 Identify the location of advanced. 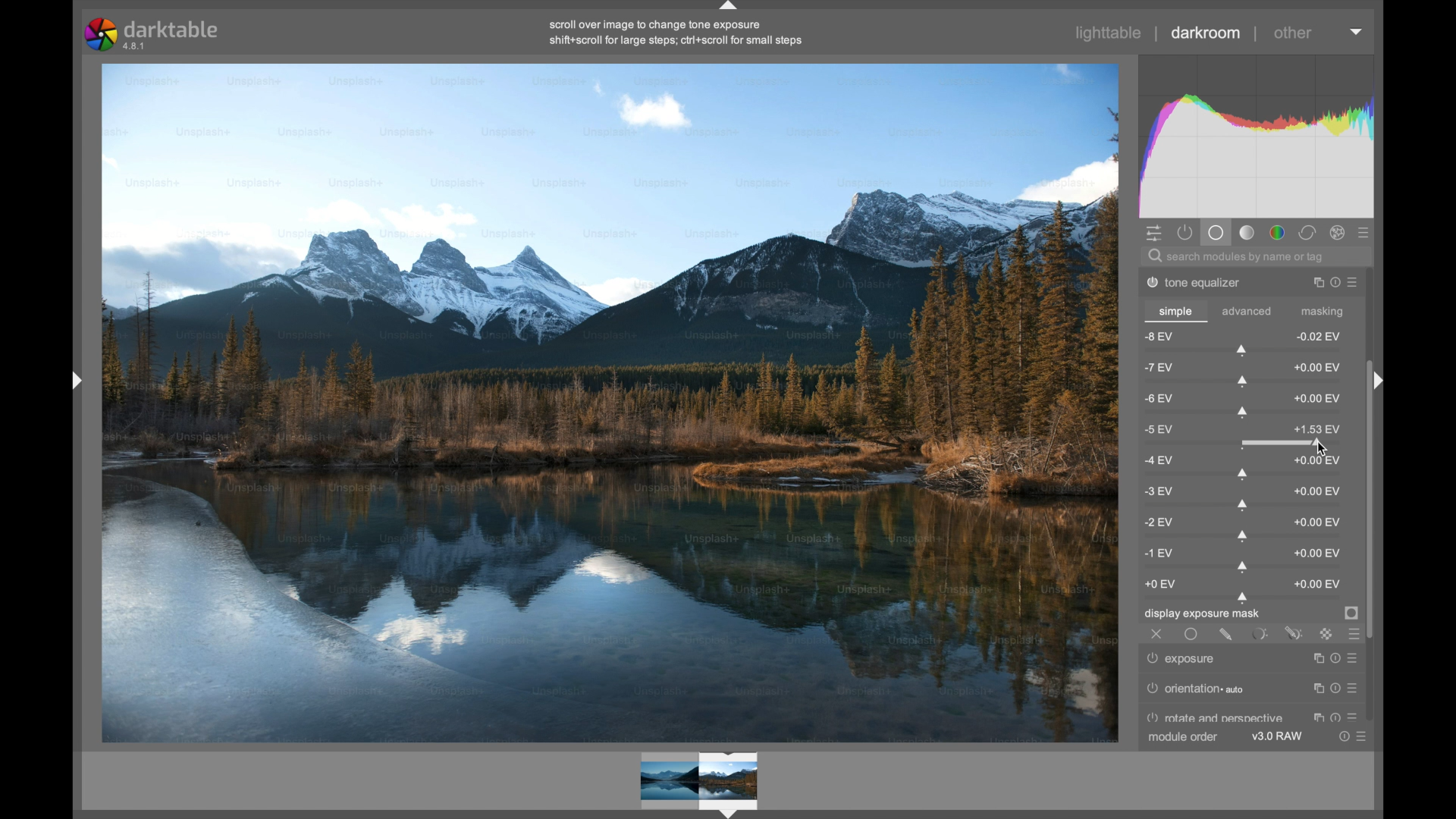
(1248, 311).